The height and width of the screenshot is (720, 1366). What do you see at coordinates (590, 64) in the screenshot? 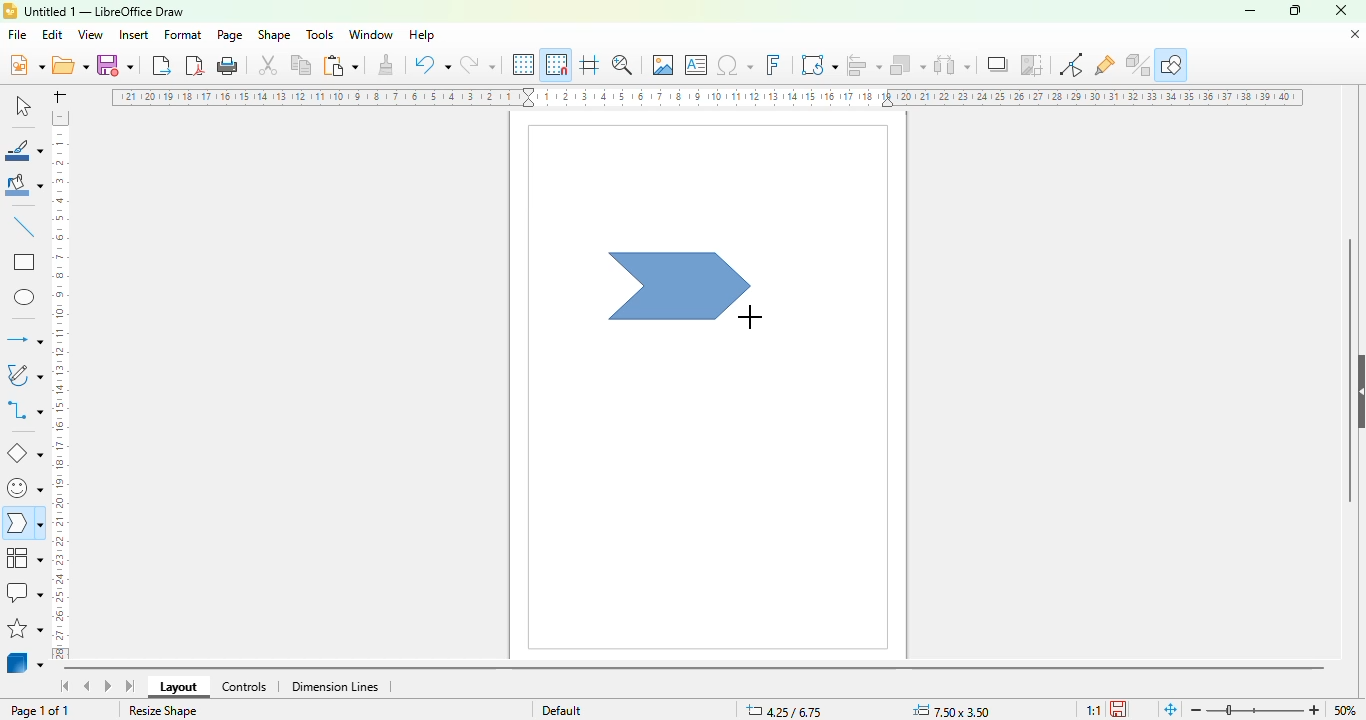
I see `helplines while moving` at bounding box center [590, 64].